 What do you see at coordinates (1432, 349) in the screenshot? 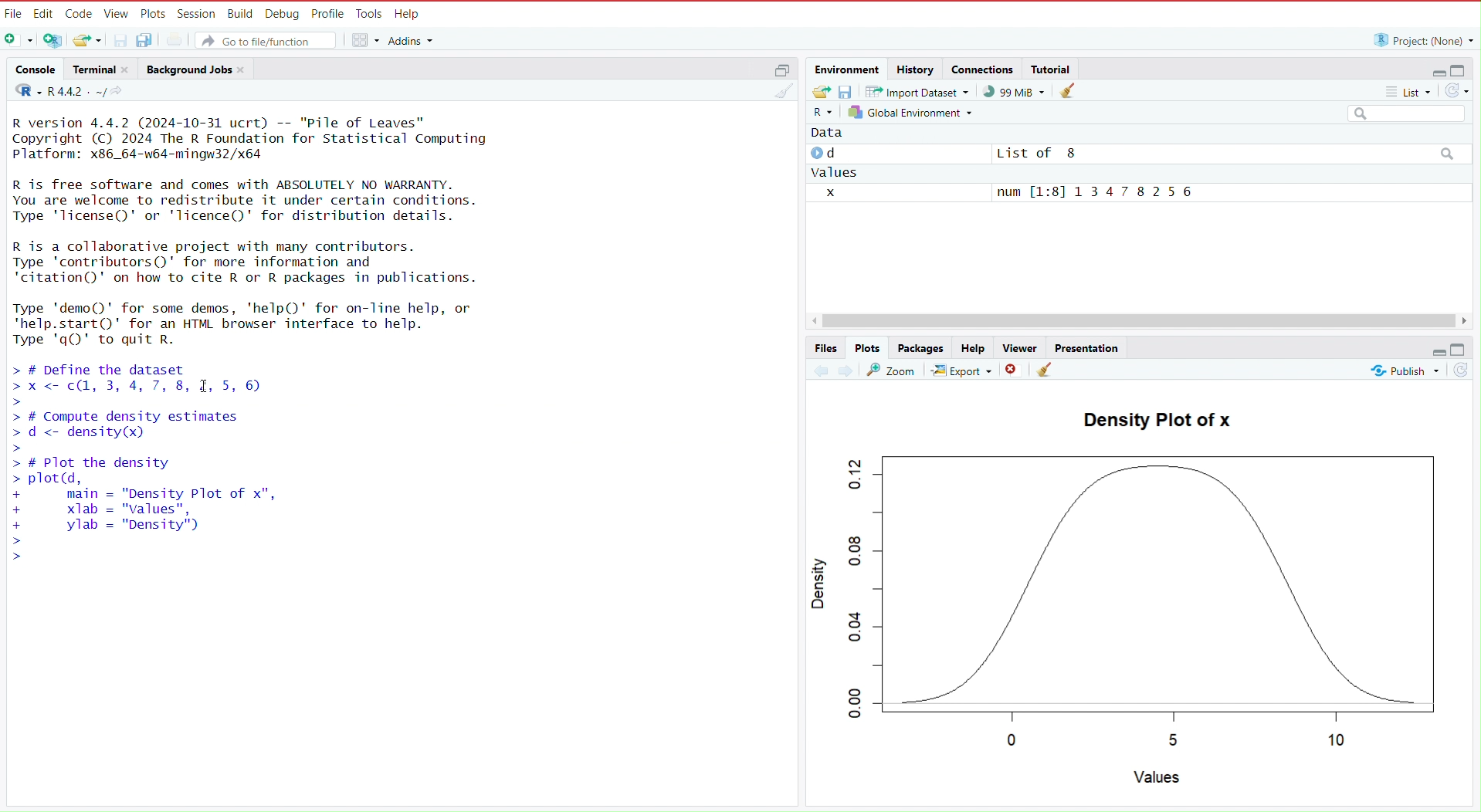
I see `minimize` at bounding box center [1432, 349].